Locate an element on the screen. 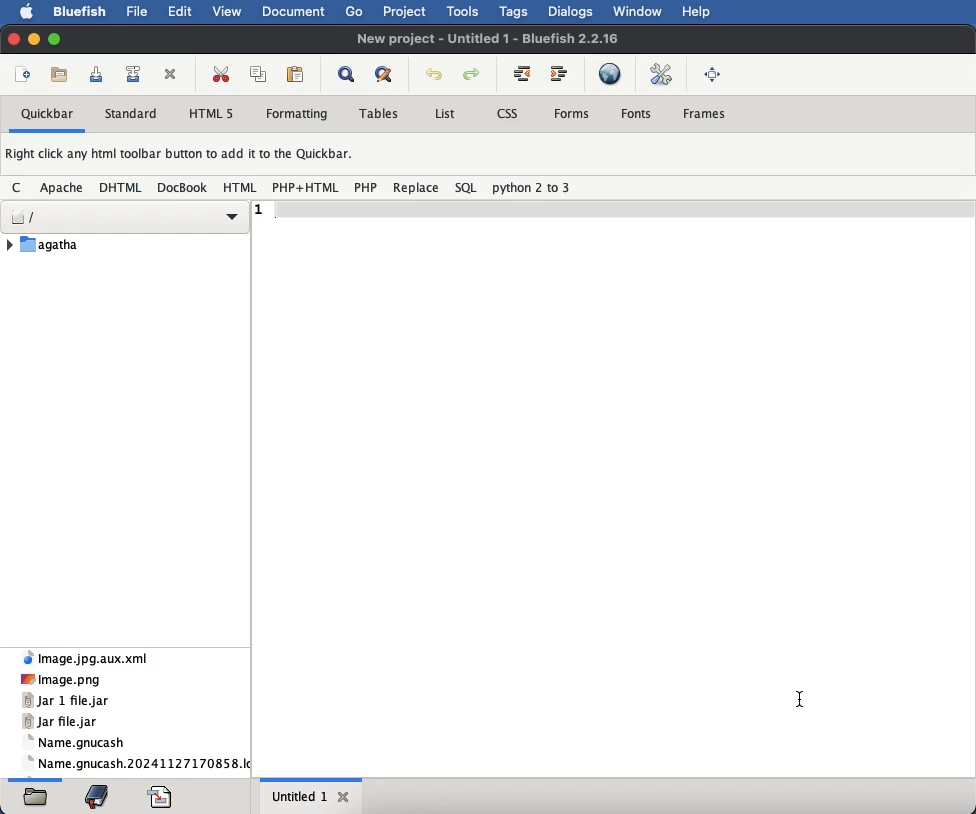 Image resolution: width=976 pixels, height=814 pixels. Name.gnucash is located at coordinates (89, 740).